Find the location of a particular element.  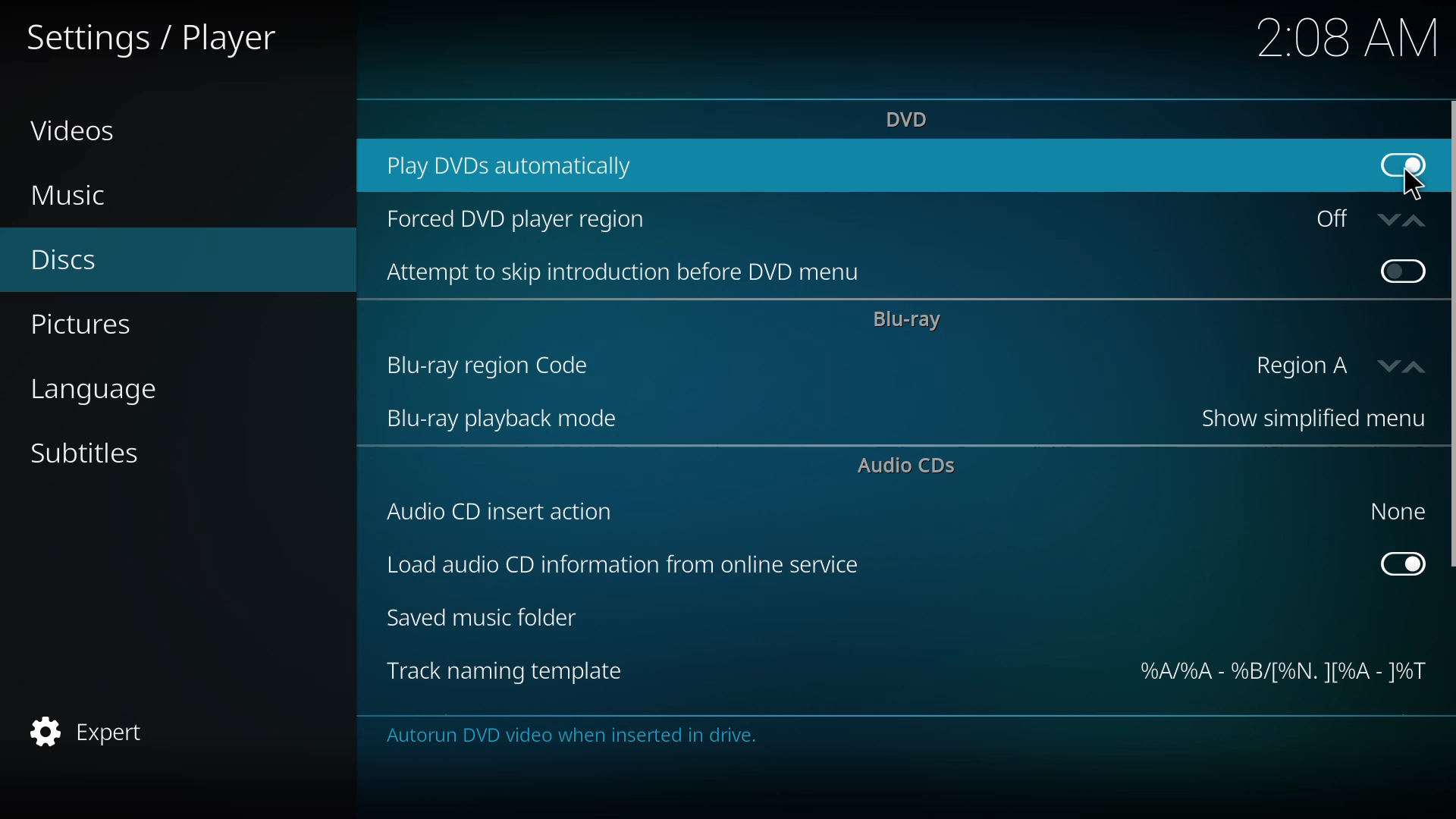

subtitles is located at coordinates (88, 453).